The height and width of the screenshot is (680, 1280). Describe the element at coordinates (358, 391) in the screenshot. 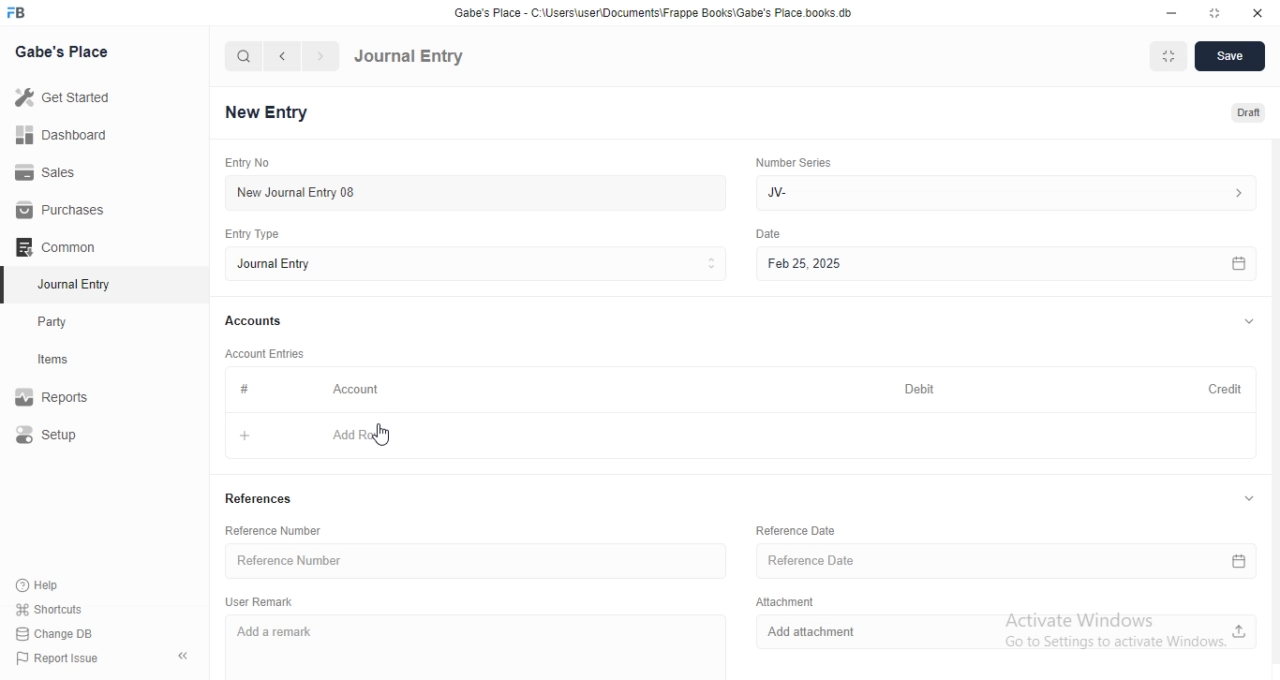

I see `Account` at that location.